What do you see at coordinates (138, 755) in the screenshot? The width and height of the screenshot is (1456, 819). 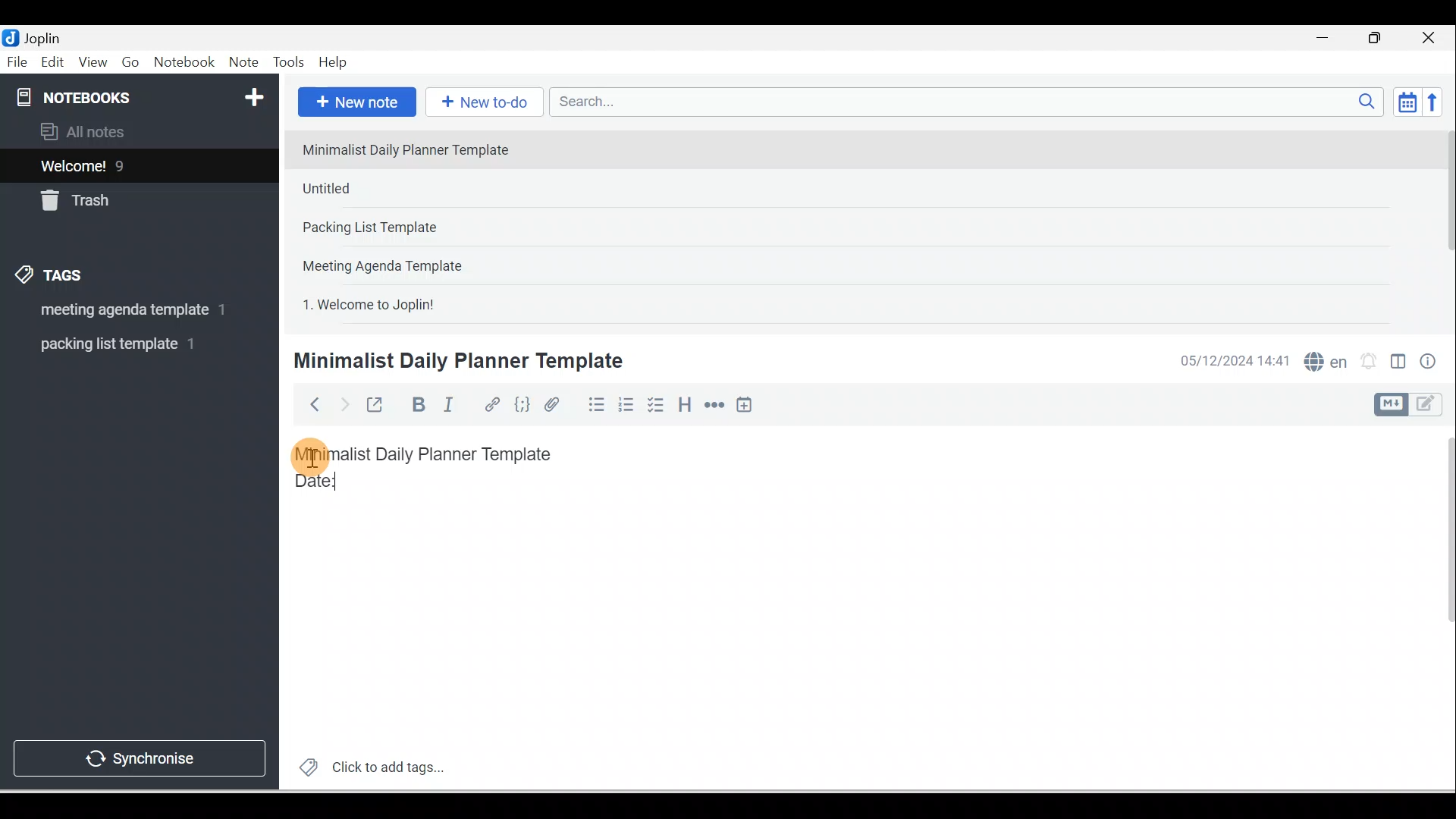 I see `Synchronise` at bounding box center [138, 755].